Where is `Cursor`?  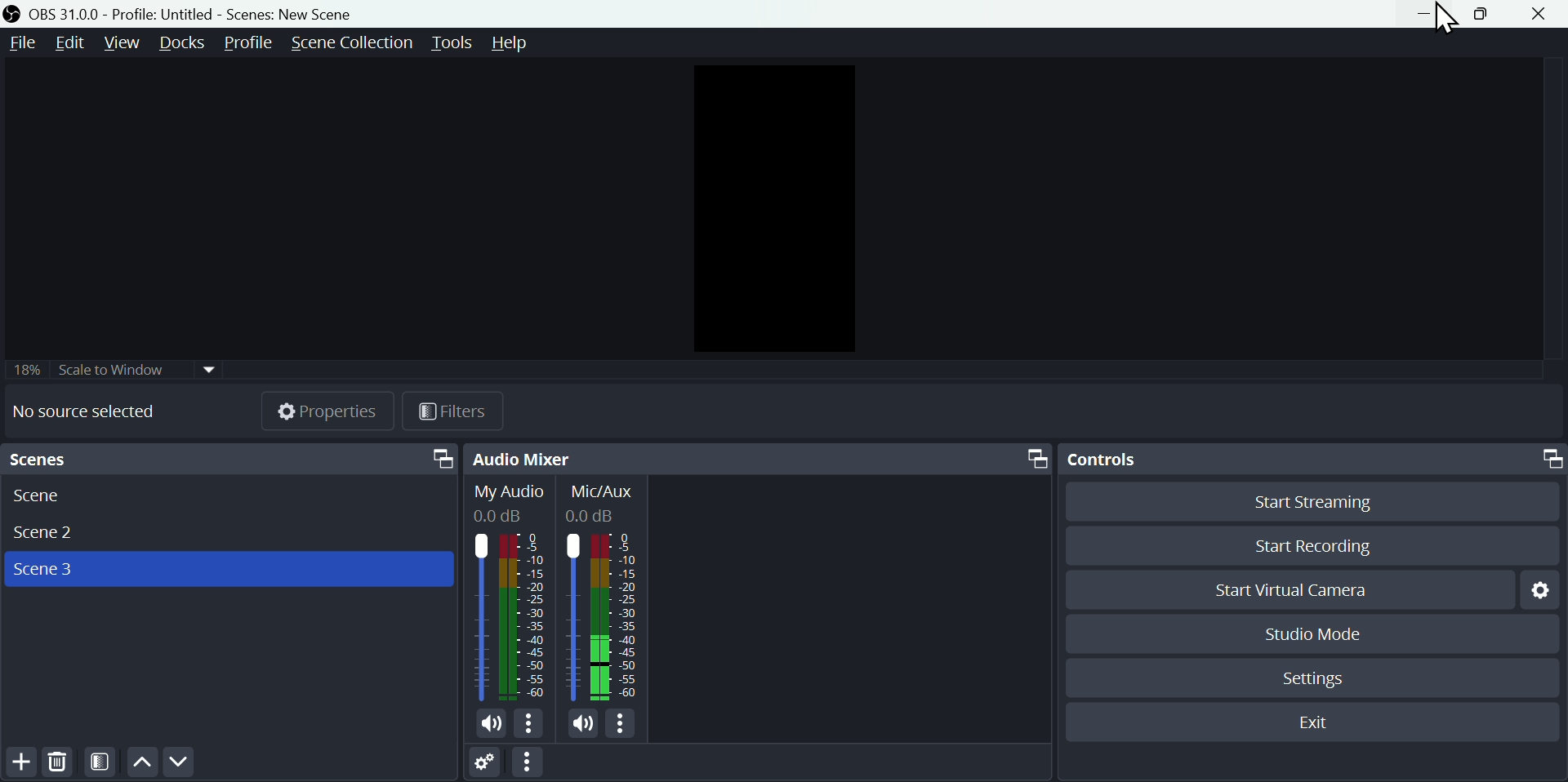
Cursor is located at coordinates (1445, 19).